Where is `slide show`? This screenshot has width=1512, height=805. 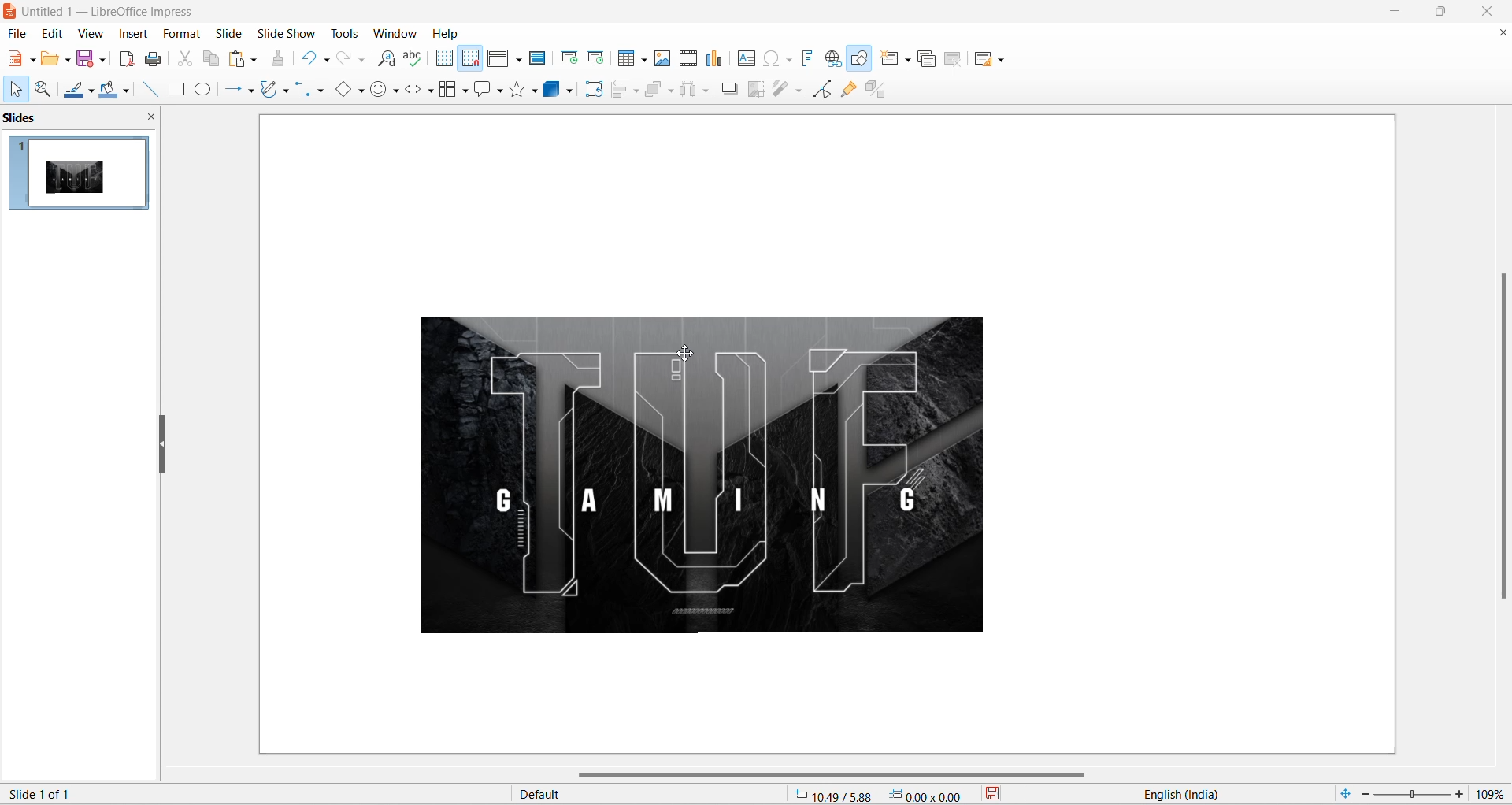 slide show is located at coordinates (289, 32).